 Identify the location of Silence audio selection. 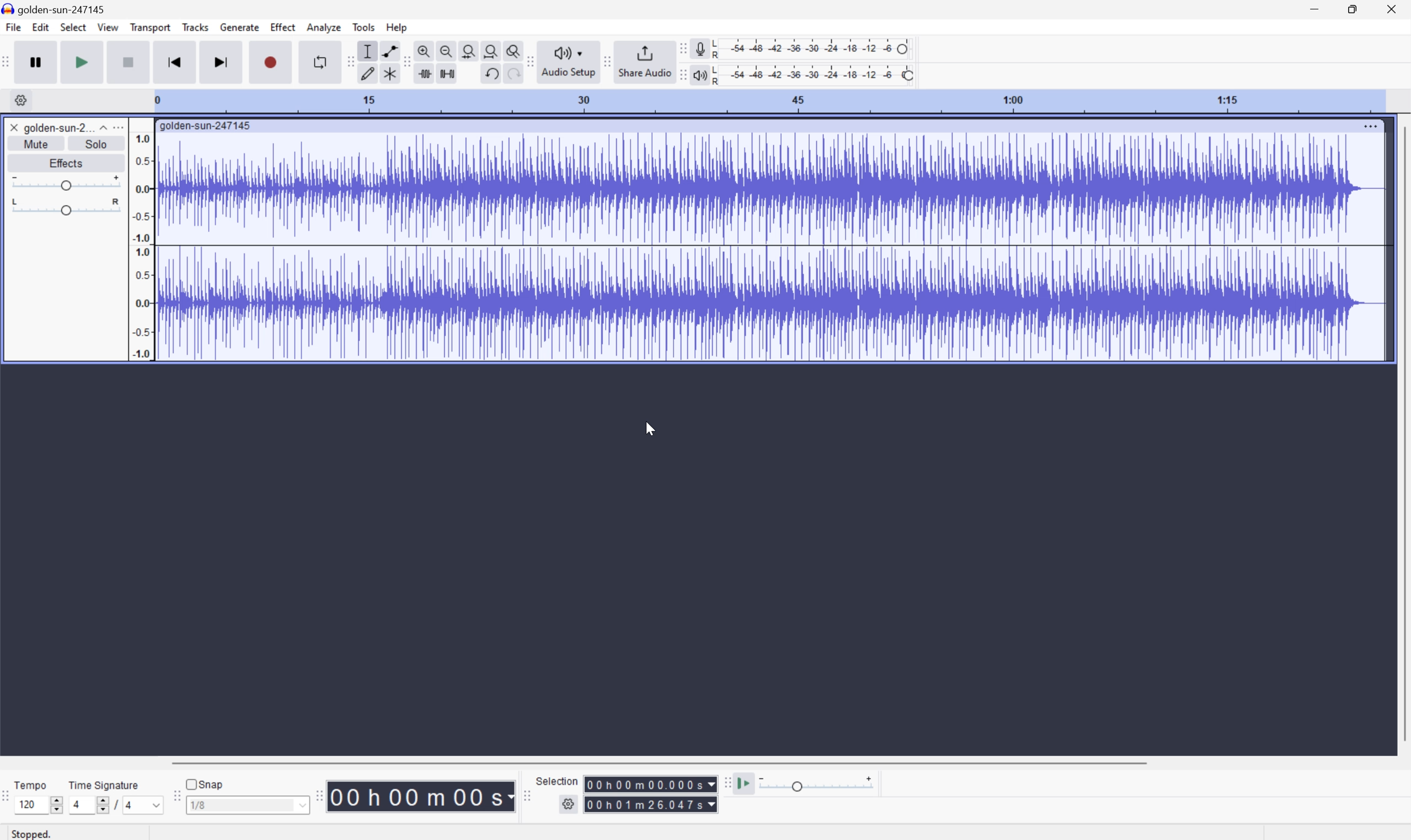
(447, 74).